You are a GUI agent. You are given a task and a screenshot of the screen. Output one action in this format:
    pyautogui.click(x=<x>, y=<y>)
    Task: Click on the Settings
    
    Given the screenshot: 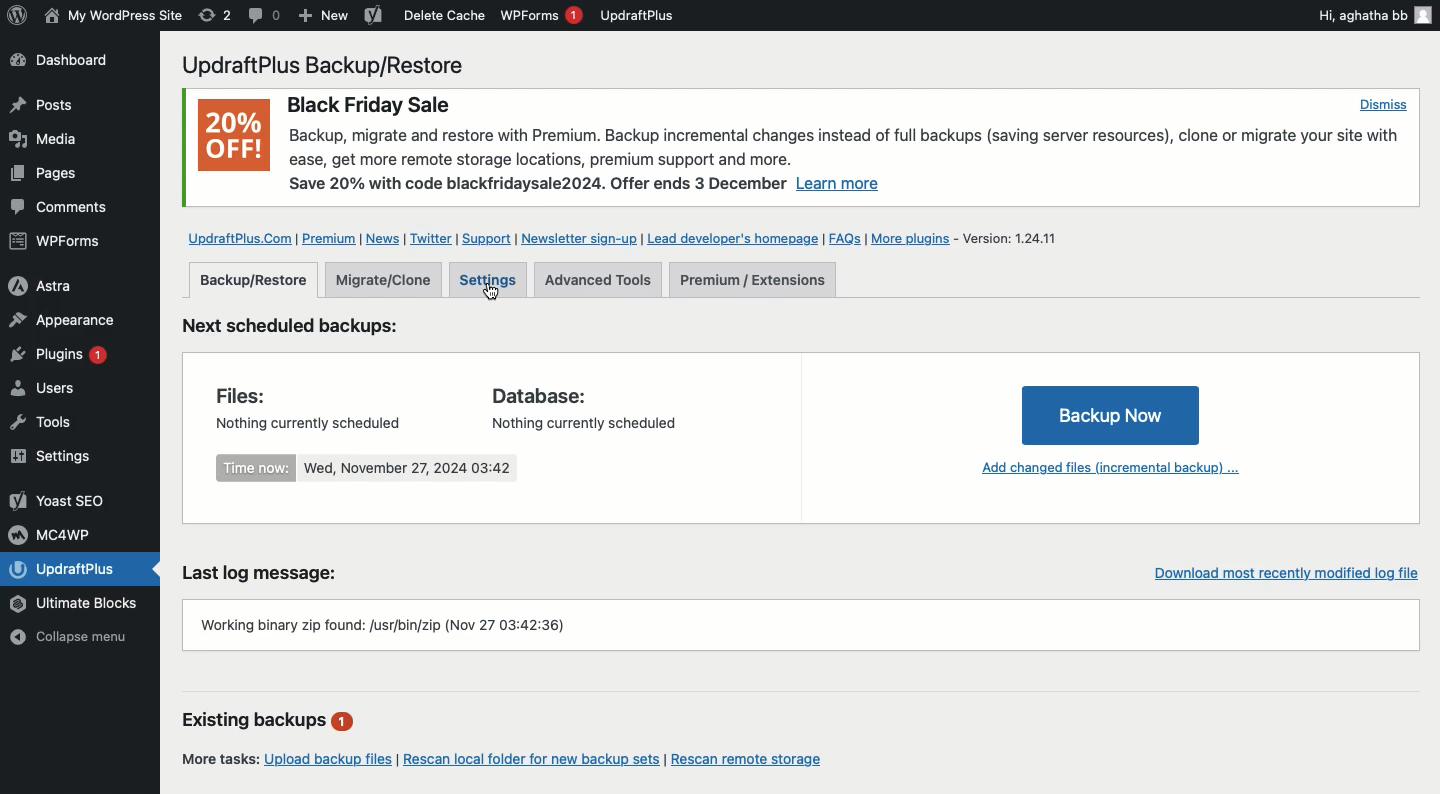 What is the action you would take?
    pyautogui.click(x=490, y=281)
    